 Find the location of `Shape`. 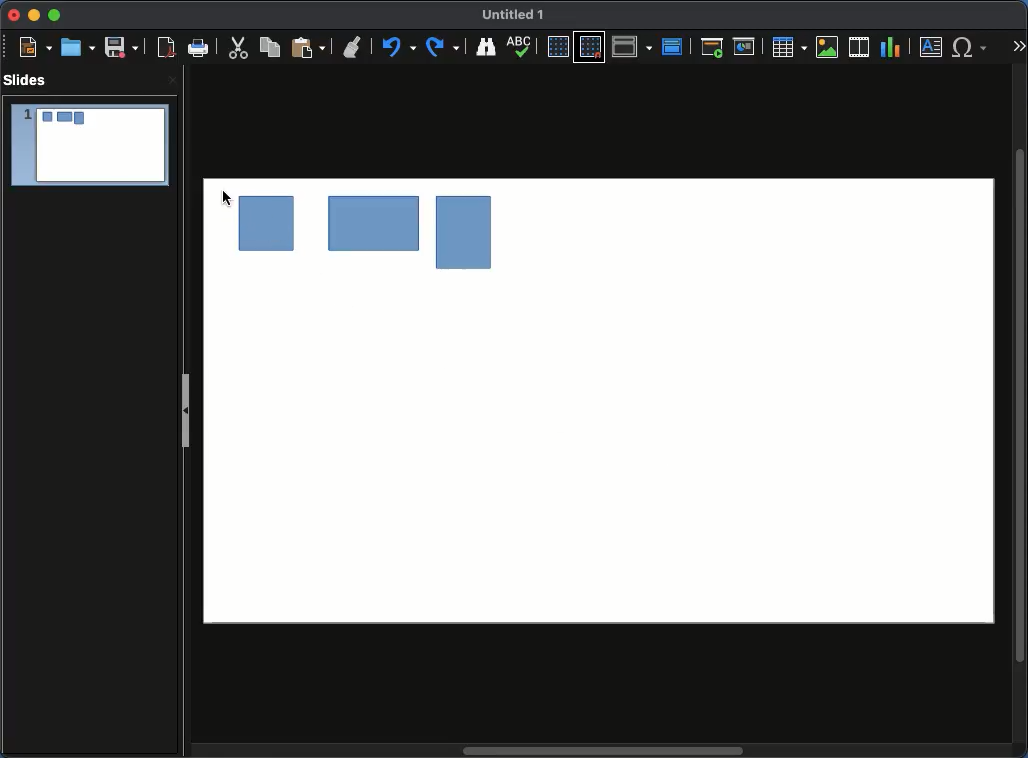

Shape is located at coordinates (459, 237).